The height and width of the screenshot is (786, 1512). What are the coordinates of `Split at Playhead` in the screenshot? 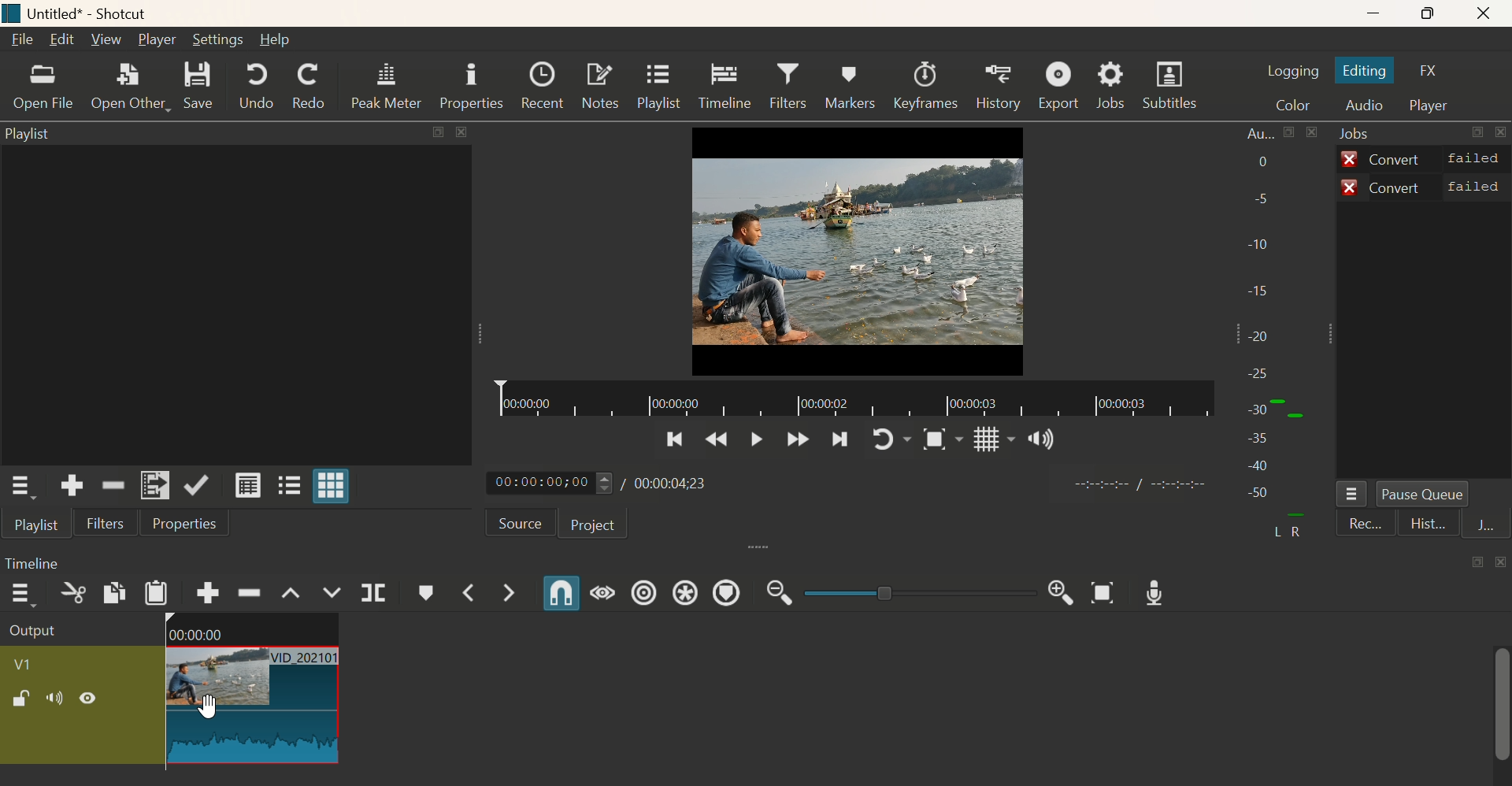 It's located at (372, 595).